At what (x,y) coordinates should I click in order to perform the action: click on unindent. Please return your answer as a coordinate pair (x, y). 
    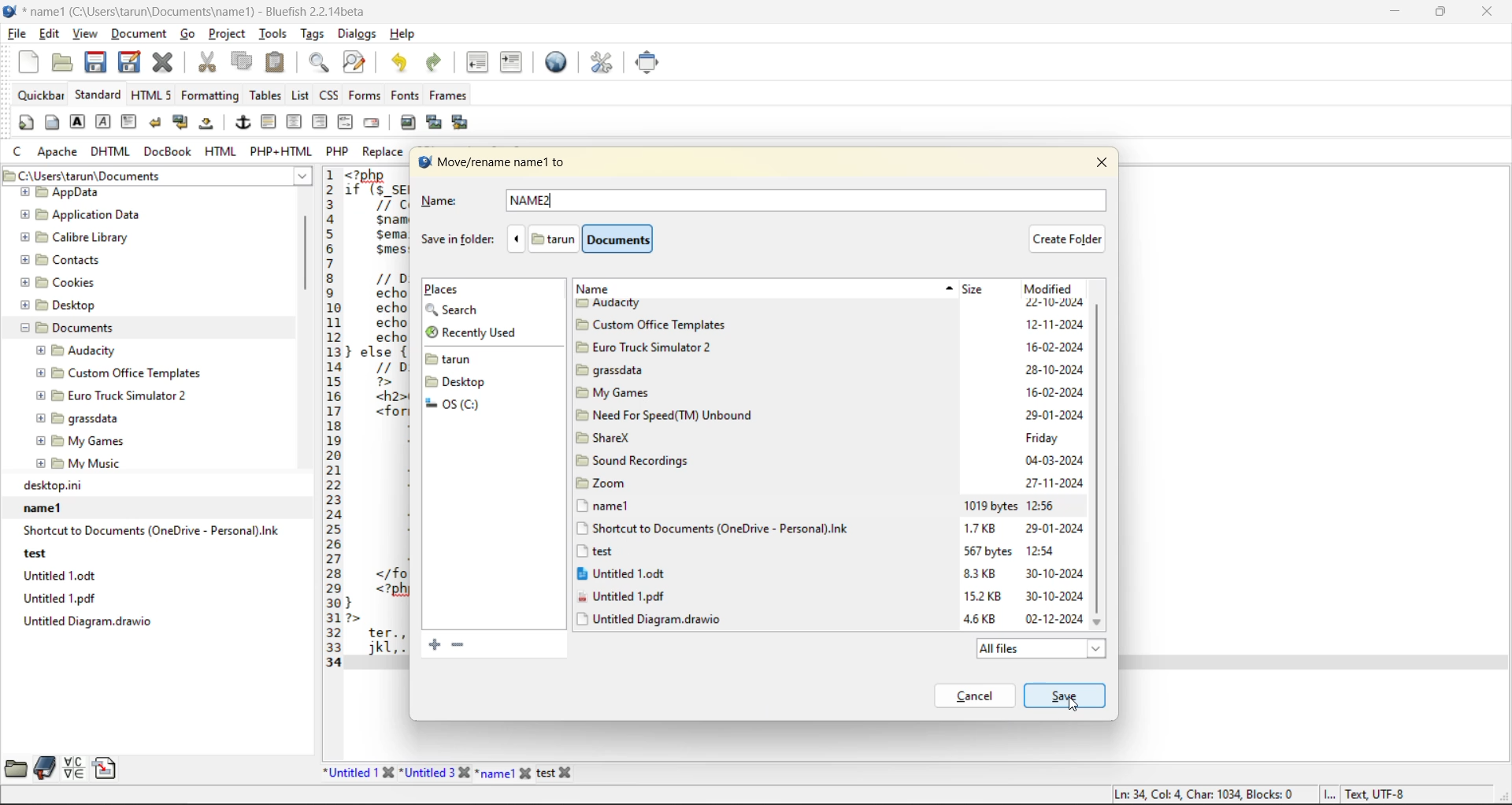
    Looking at the image, I should click on (478, 65).